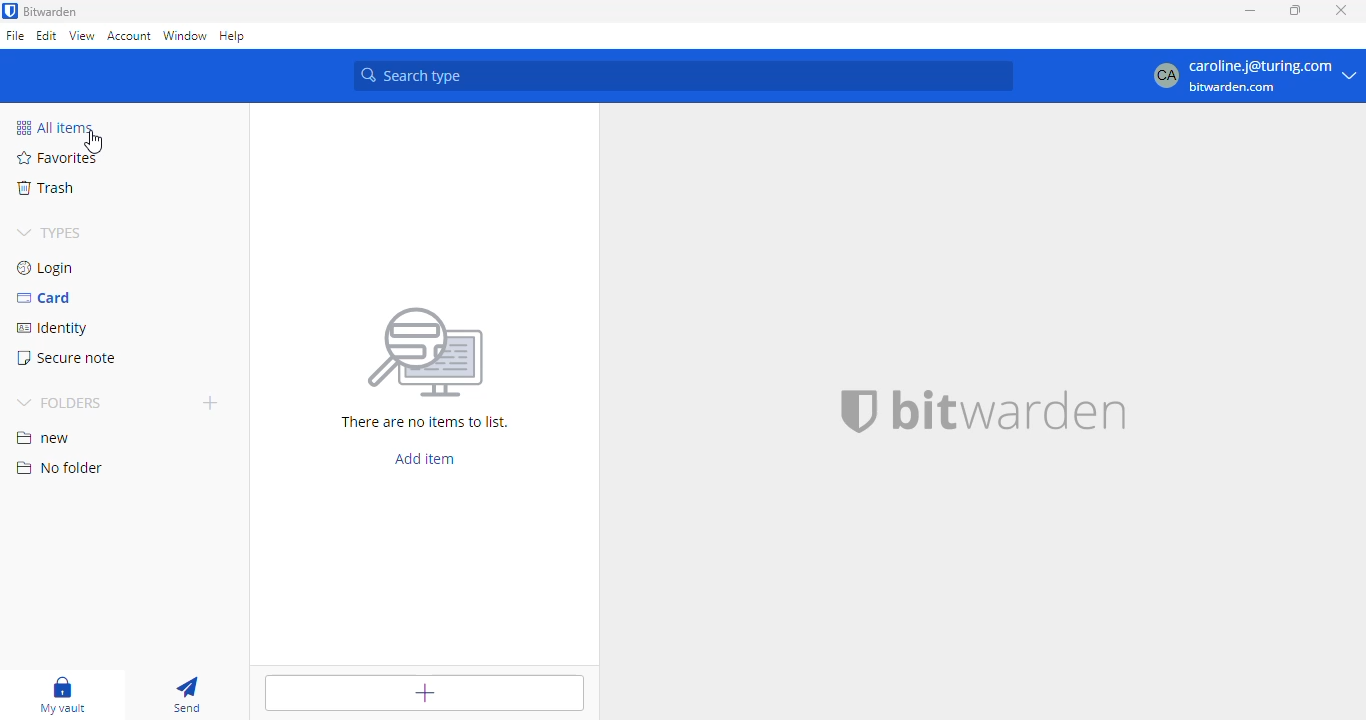  I want to click on close, so click(1341, 11).